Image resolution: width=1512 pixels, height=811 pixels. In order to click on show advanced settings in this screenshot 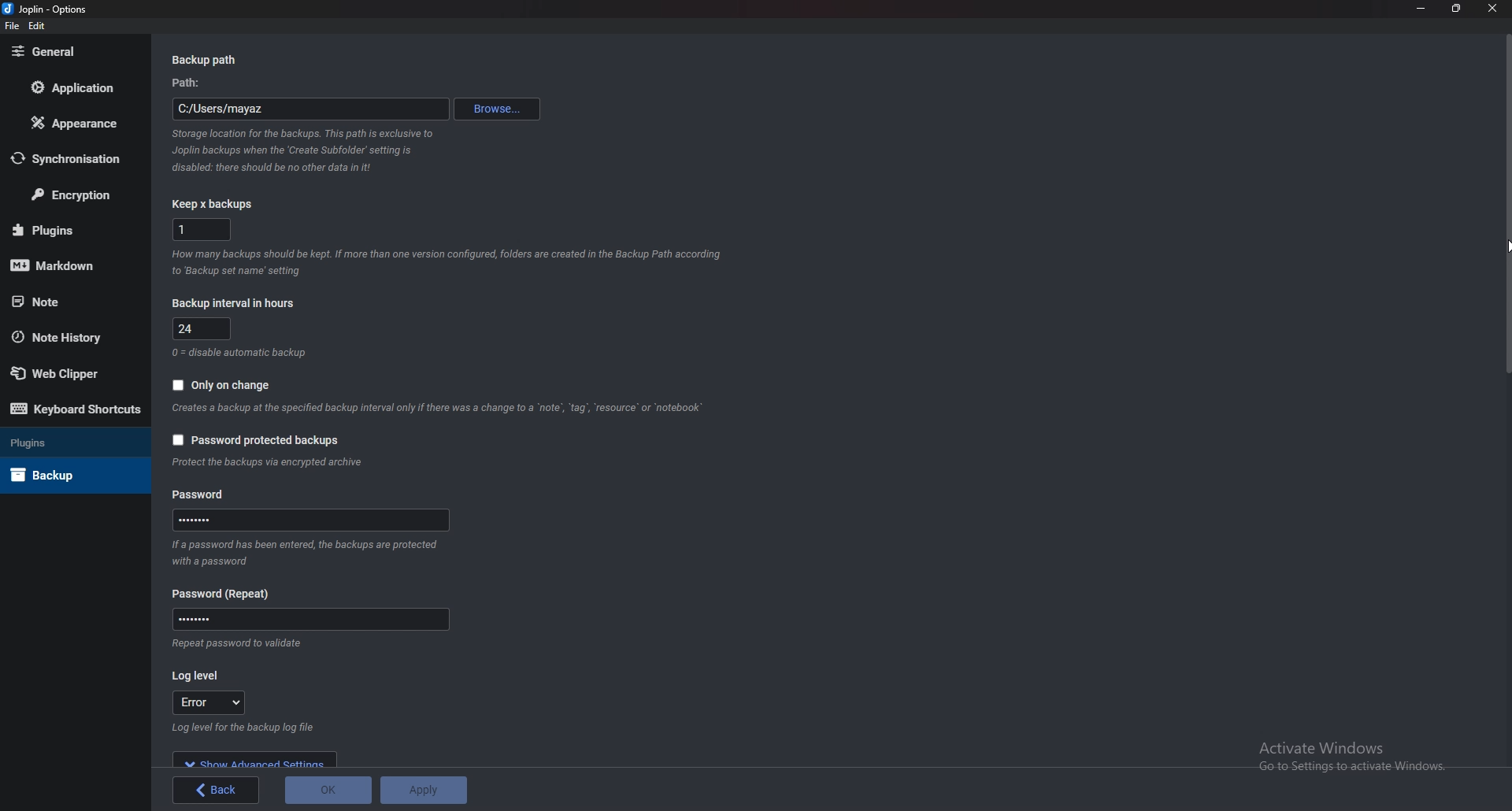, I will do `click(256, 761)`.